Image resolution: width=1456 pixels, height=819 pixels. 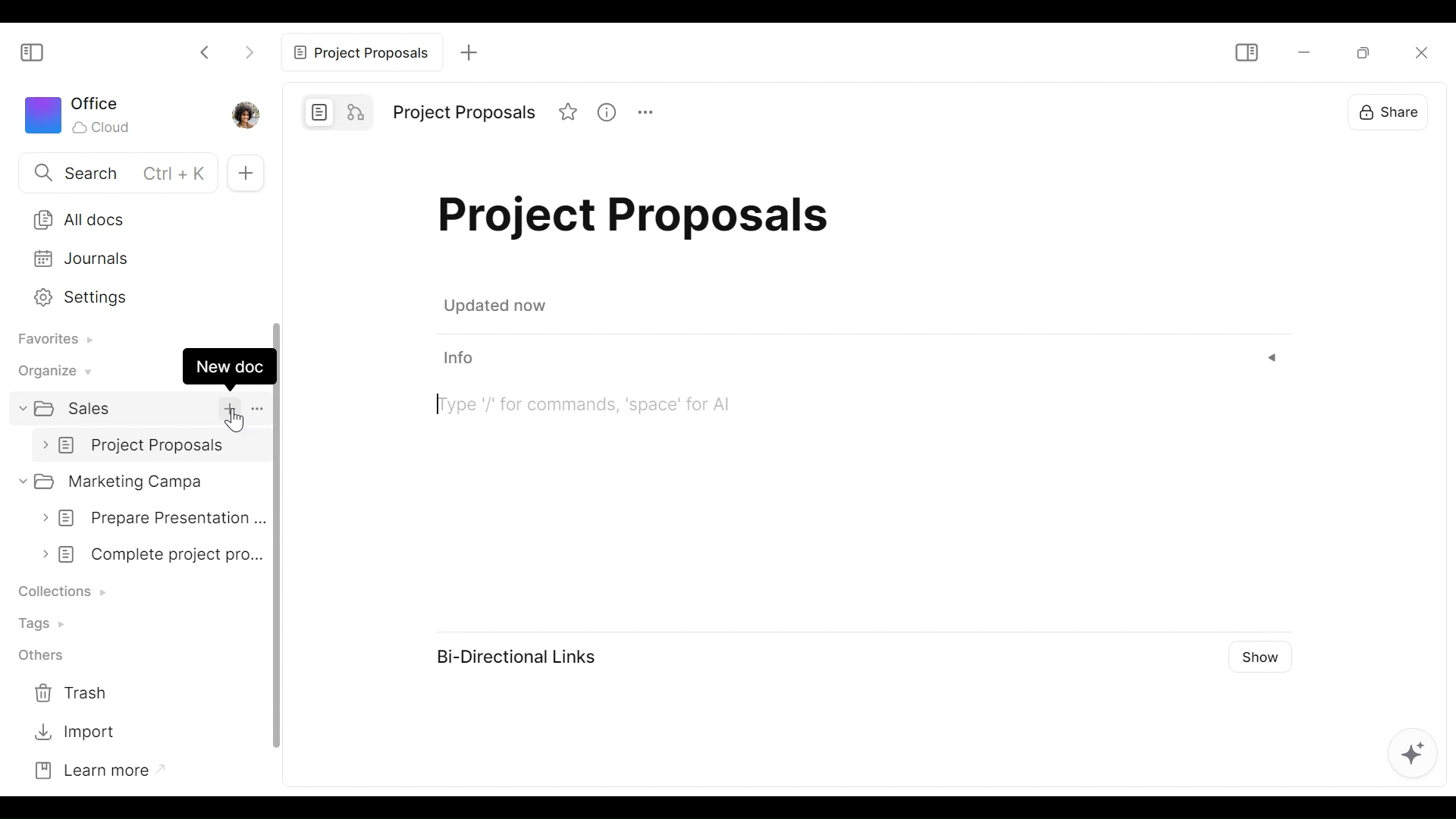 I want to click on Show, so click(x=1263, y=657).